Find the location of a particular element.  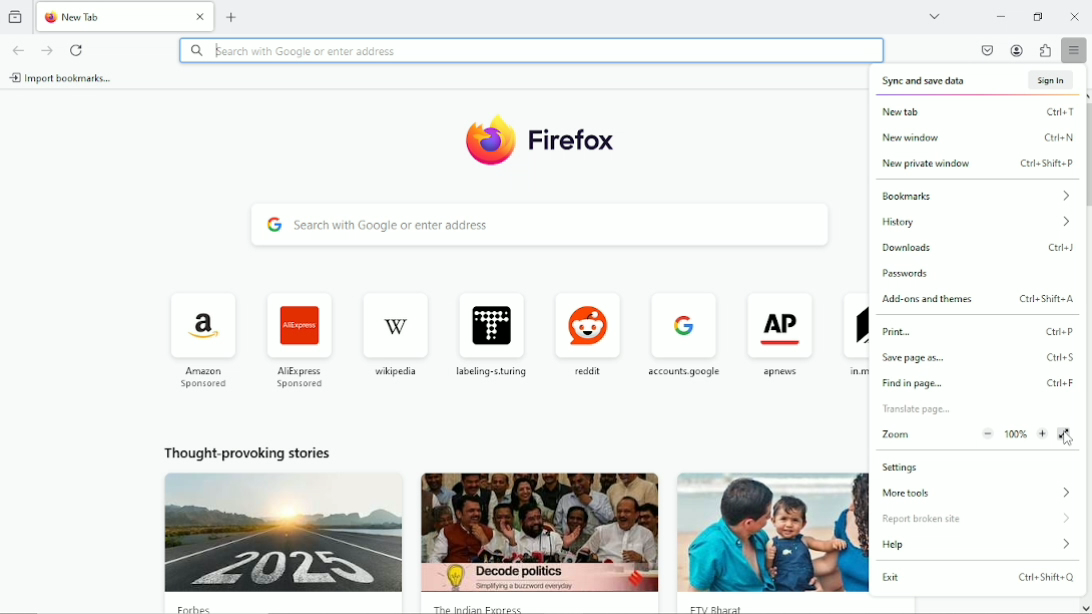

go back is located at coordinates (18, 50).